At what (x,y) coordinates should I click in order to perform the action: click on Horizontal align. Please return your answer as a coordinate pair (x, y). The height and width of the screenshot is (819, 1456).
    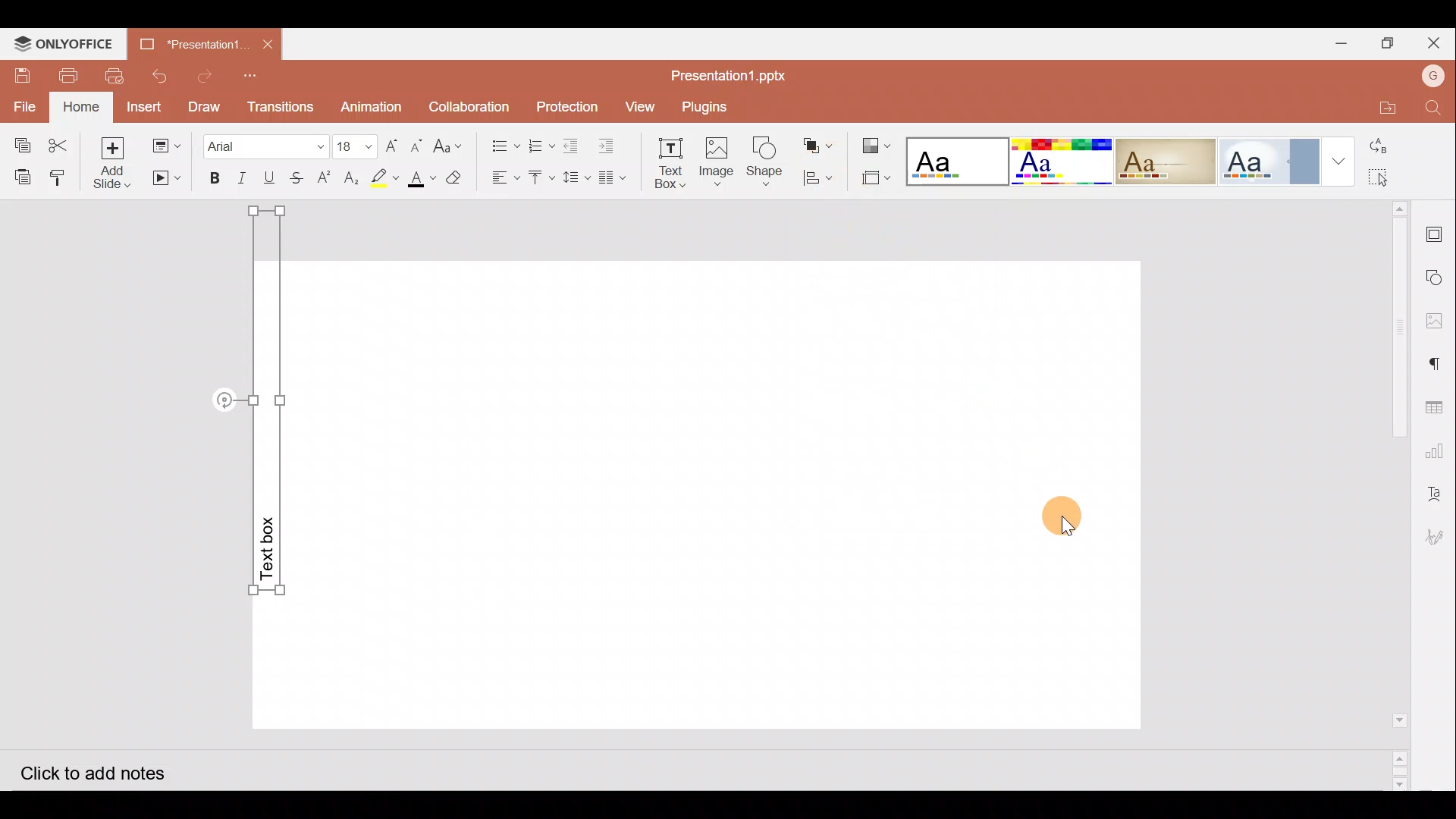
    Looking at the image, I should click on (504, 178).